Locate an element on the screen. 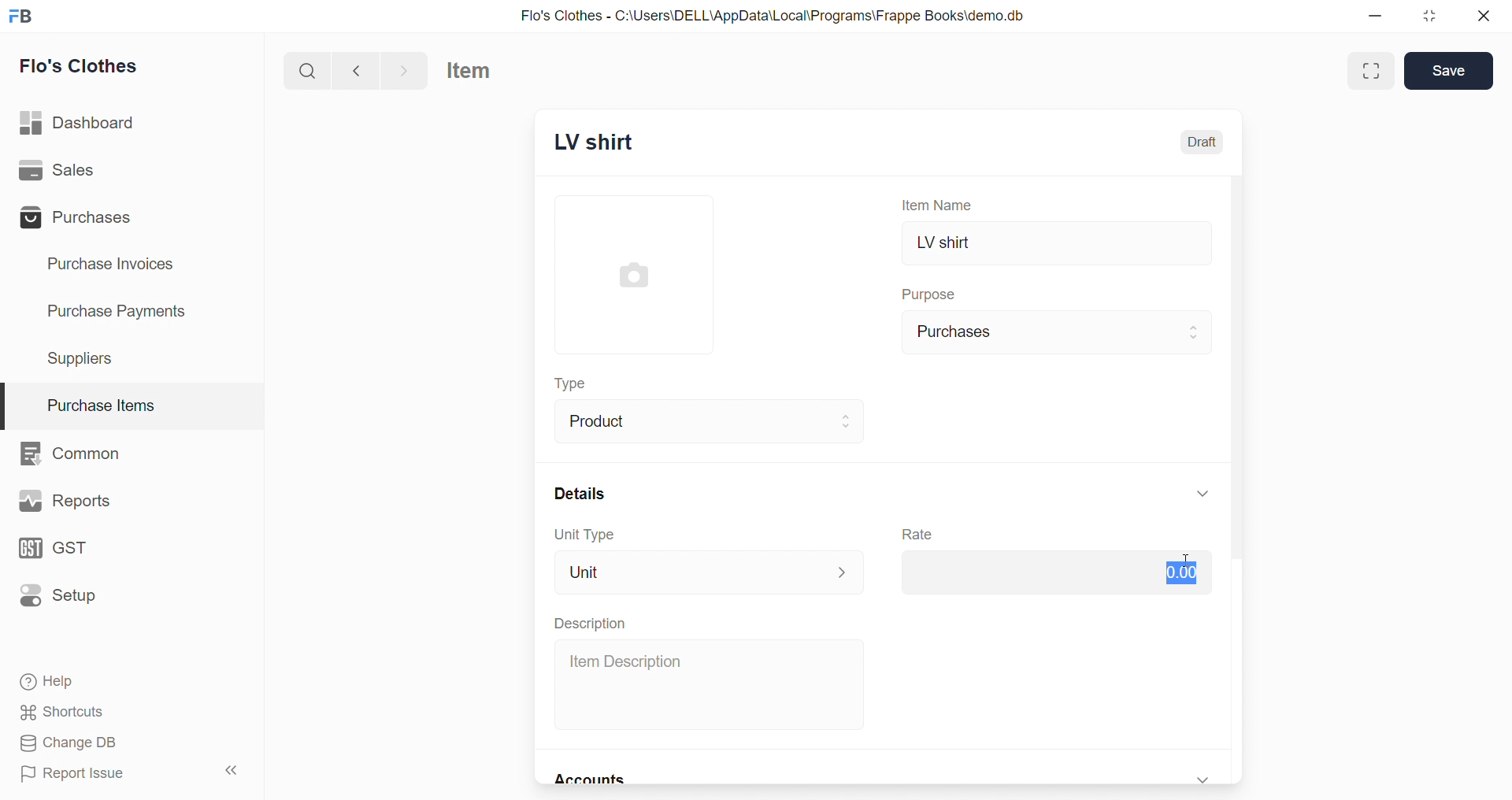 This screenshot has height=800, width=1512. expand/collapse is located at coordinates (1203, 493).